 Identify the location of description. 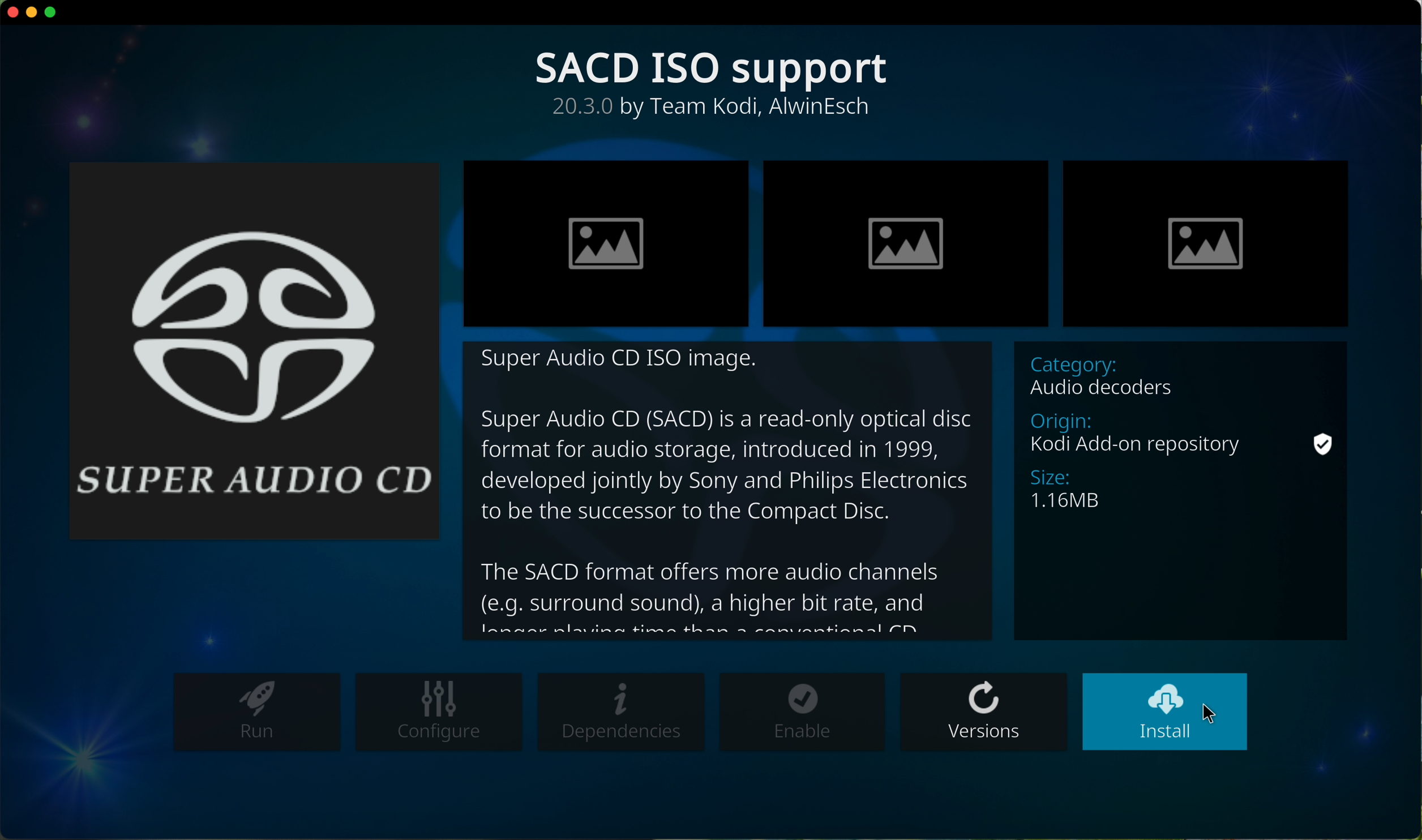
(713, 111).